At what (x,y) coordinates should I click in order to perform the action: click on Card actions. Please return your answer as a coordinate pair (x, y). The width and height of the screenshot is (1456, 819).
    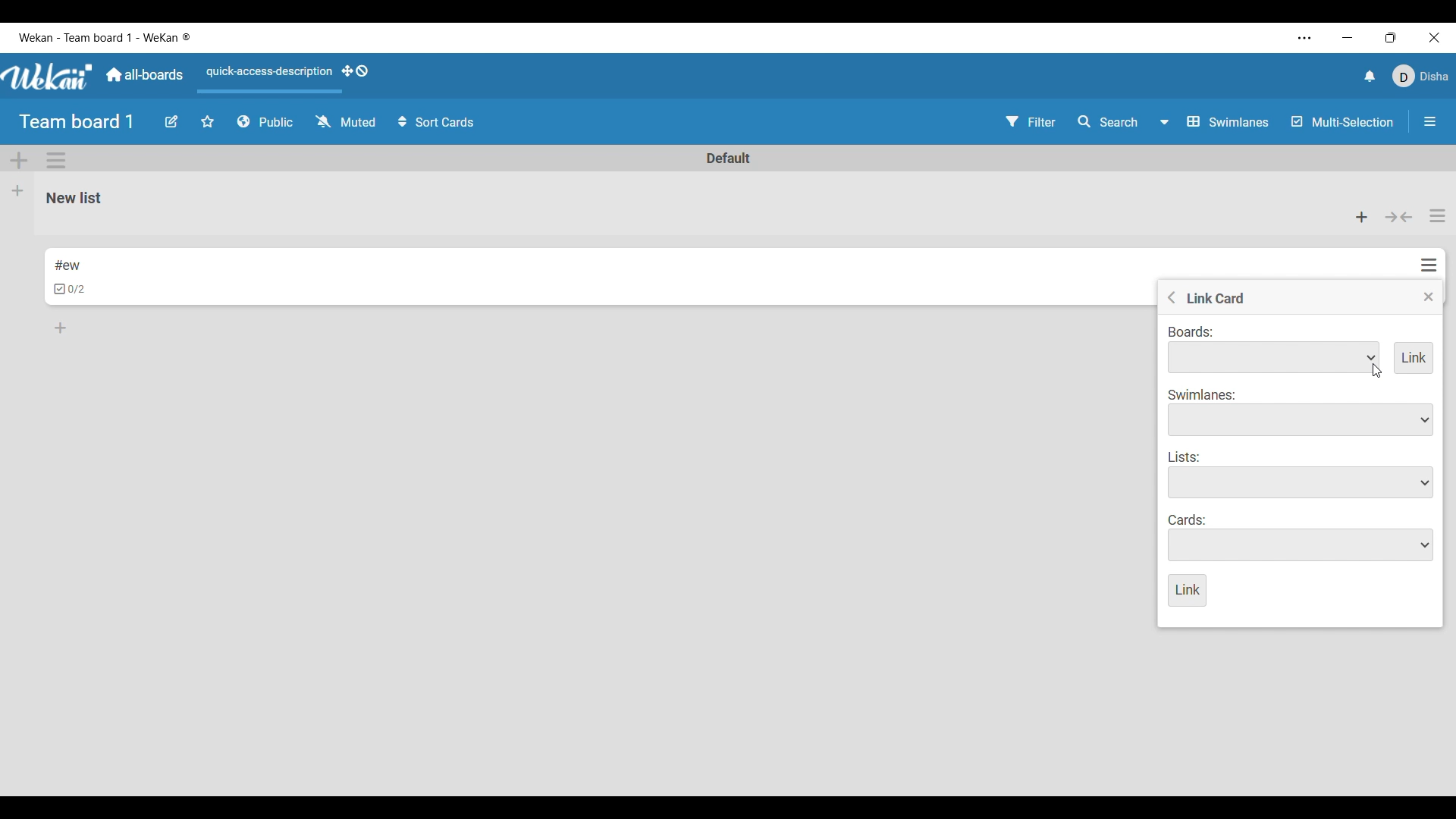
    Looking at the image, I should click on (1429, 265).